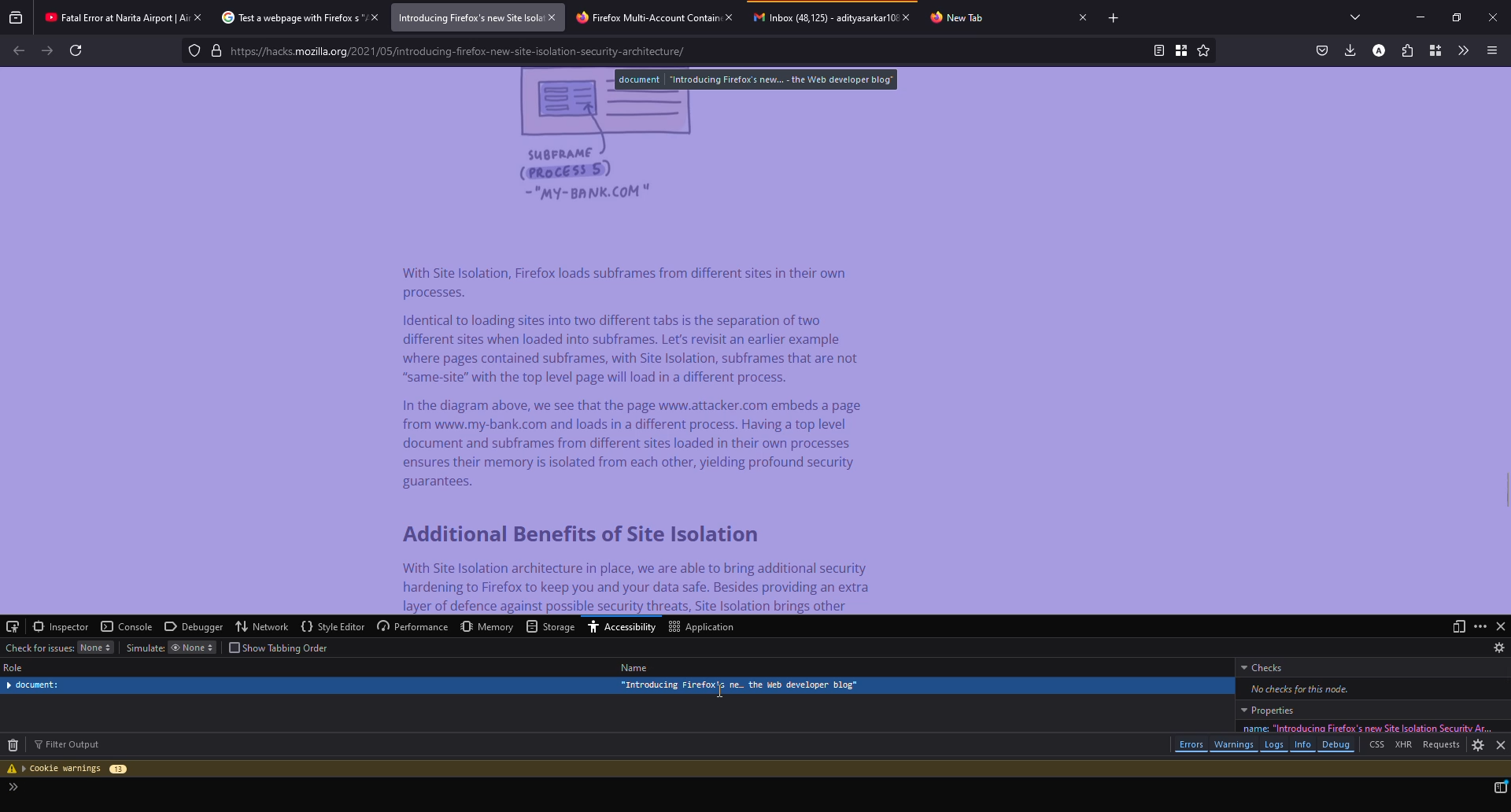  Describe the element at coordinates (1499, 648) in the screenshot. I see `settings` at that location.